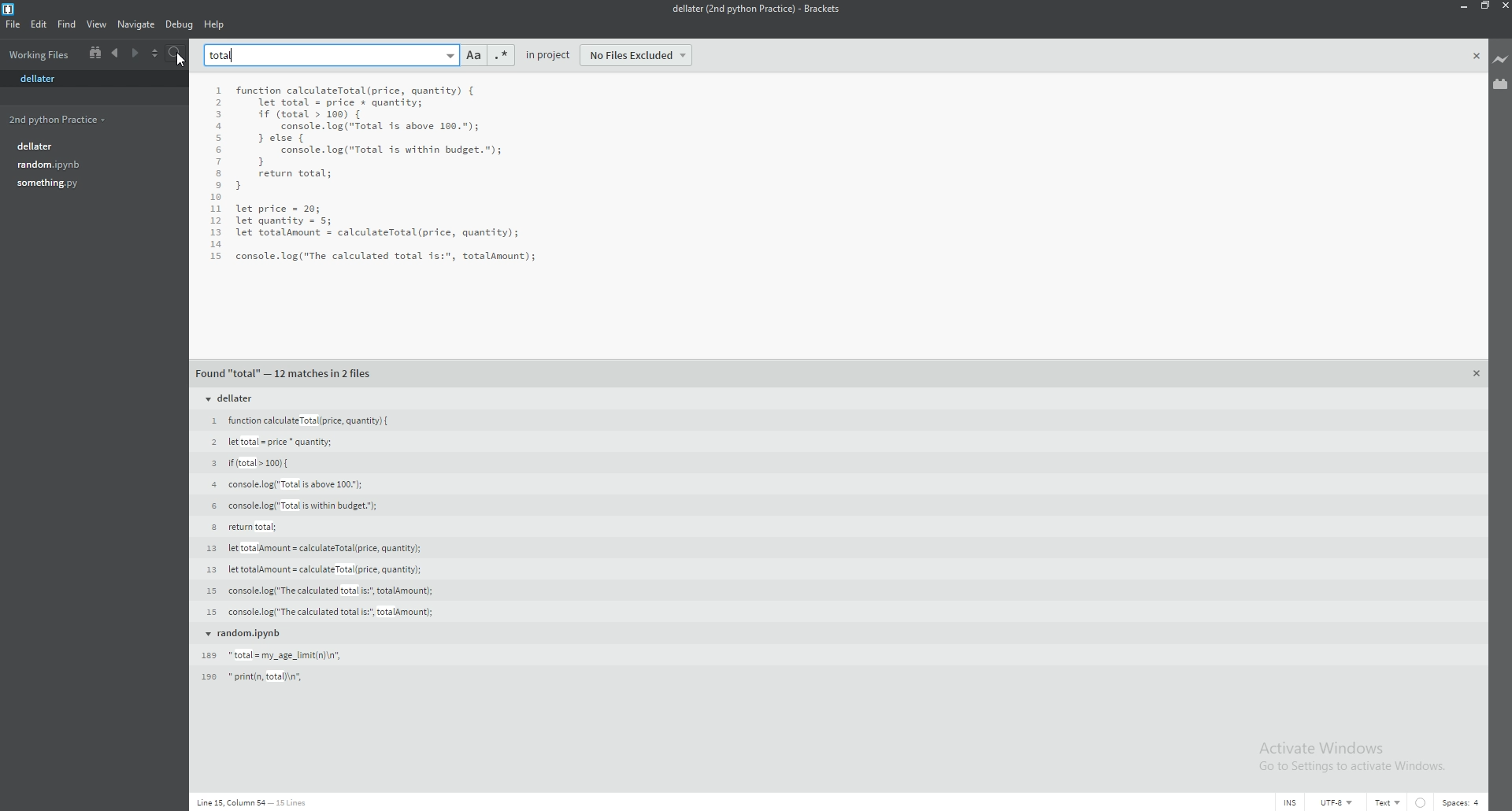 The image size is (1512, 811). What do you see at coordinates (91, 165) in the screenshot?
I see `random.ipynb` at bounding box center [91, 165].